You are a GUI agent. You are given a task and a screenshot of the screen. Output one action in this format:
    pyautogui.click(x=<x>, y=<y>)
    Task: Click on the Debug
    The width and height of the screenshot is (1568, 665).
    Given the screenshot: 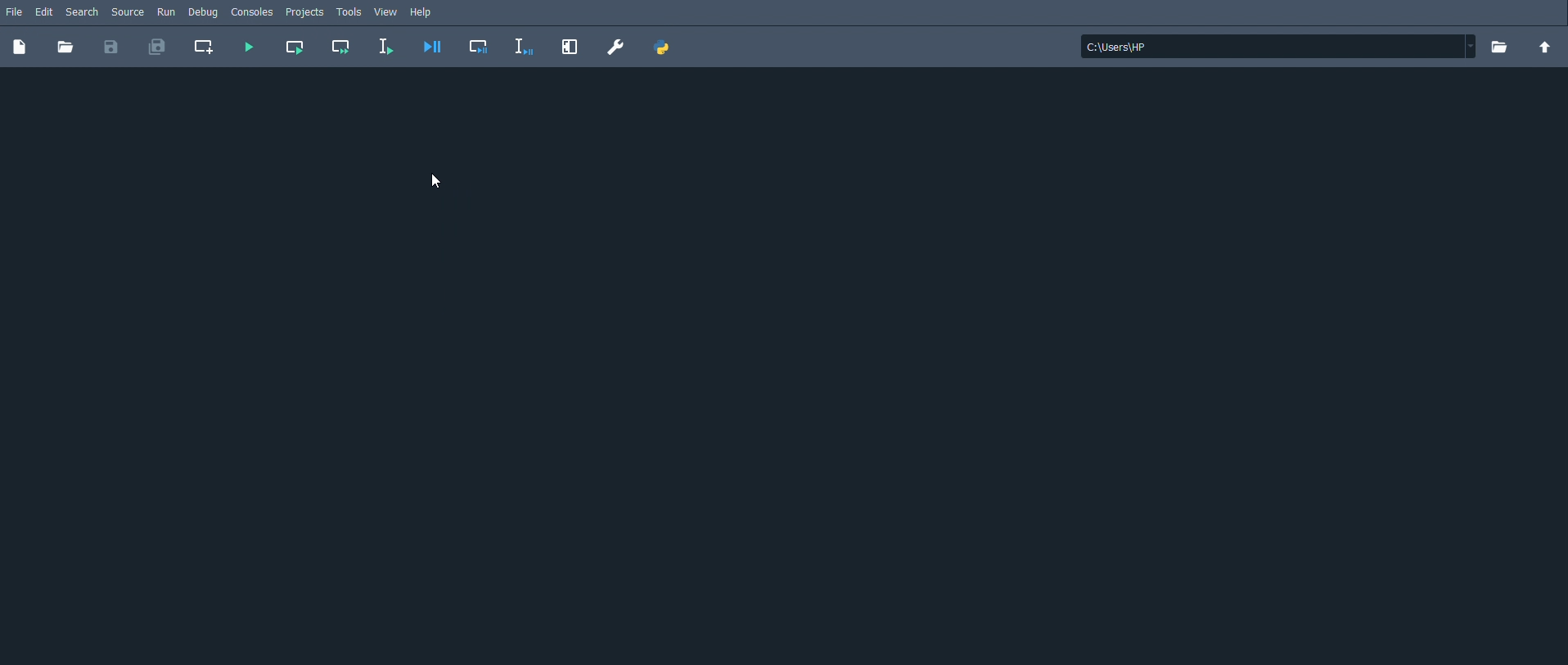 What is the action you would take?
    pyautogui.click(x=204, y=14)
    